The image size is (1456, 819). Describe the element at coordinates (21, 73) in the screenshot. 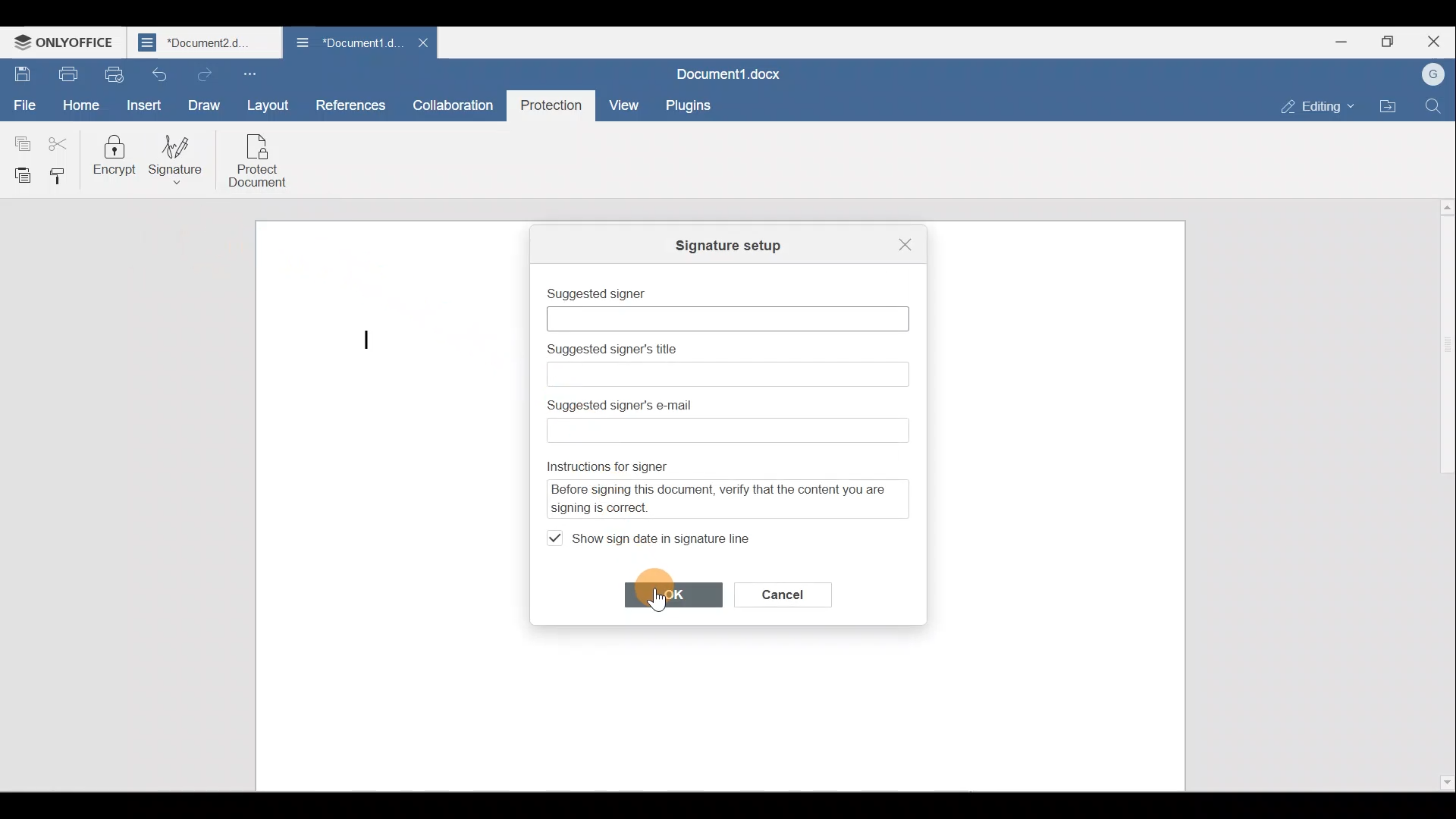

I see `Save` at that location.